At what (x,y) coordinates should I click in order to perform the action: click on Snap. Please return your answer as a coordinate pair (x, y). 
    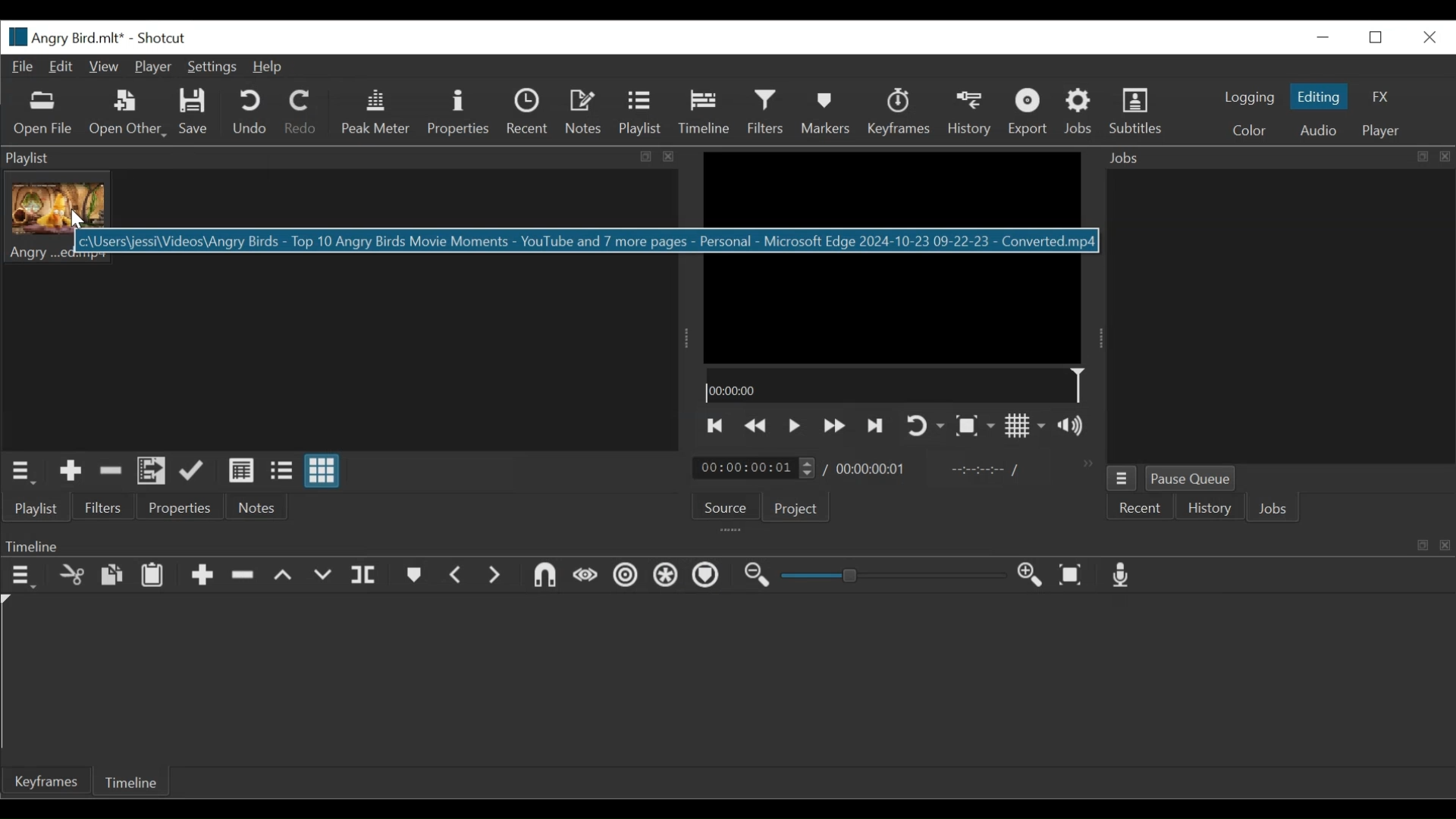
    Looking at the image, I should click on (544, 577).